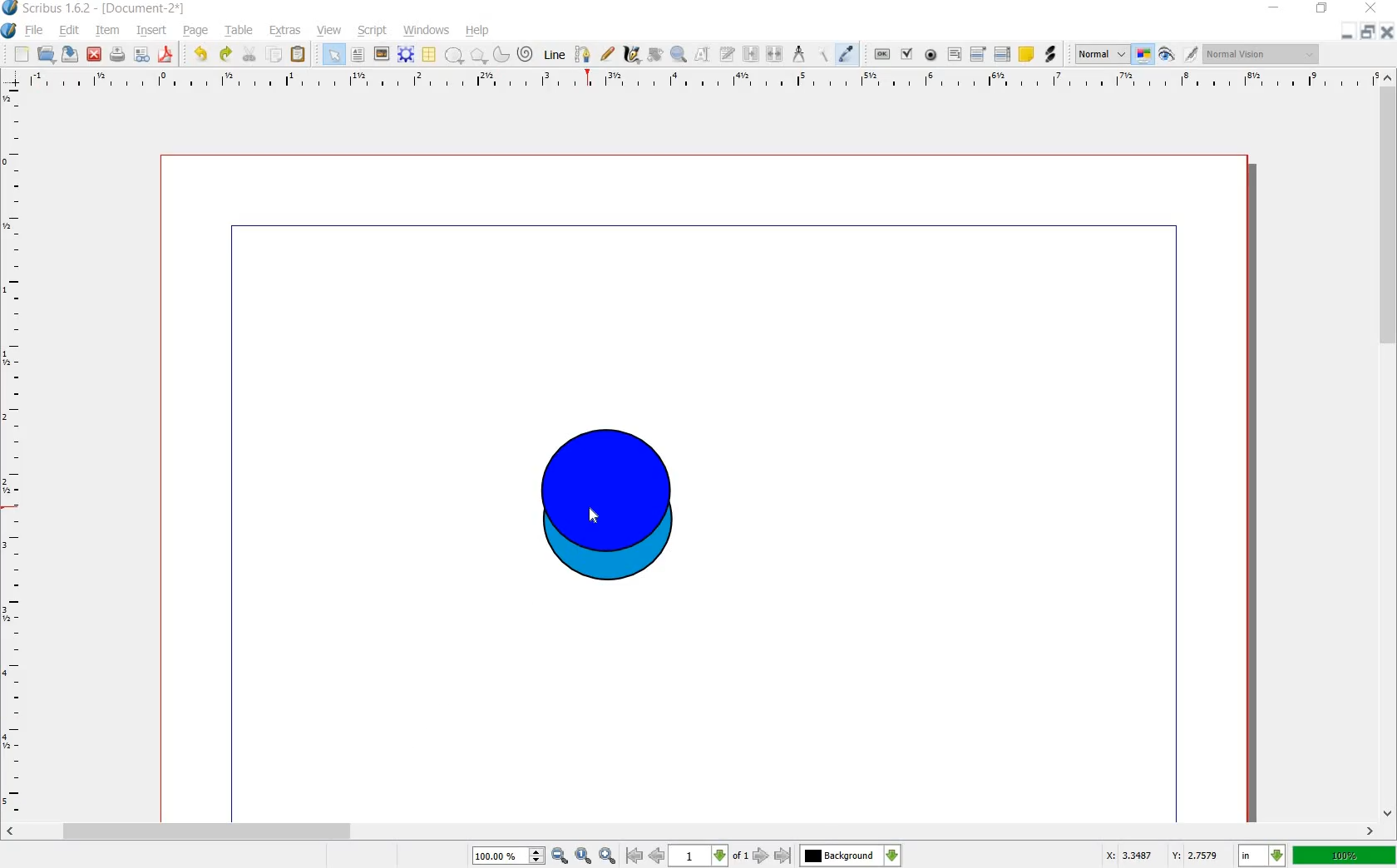  I want to click on script, so click(373, 31).